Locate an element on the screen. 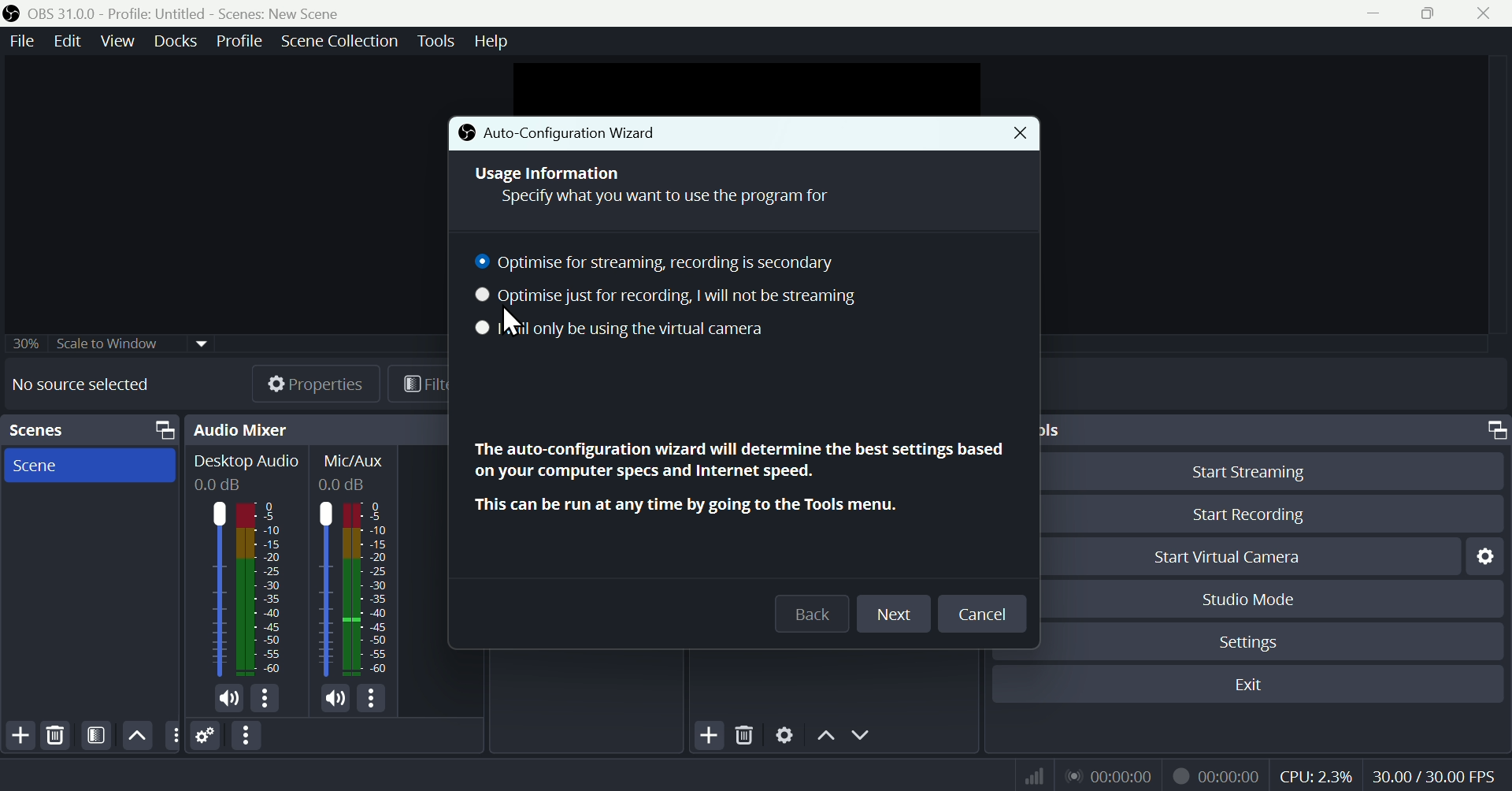 This screenshot has height=791, width=1512. help is located at coordinates (494, 39).